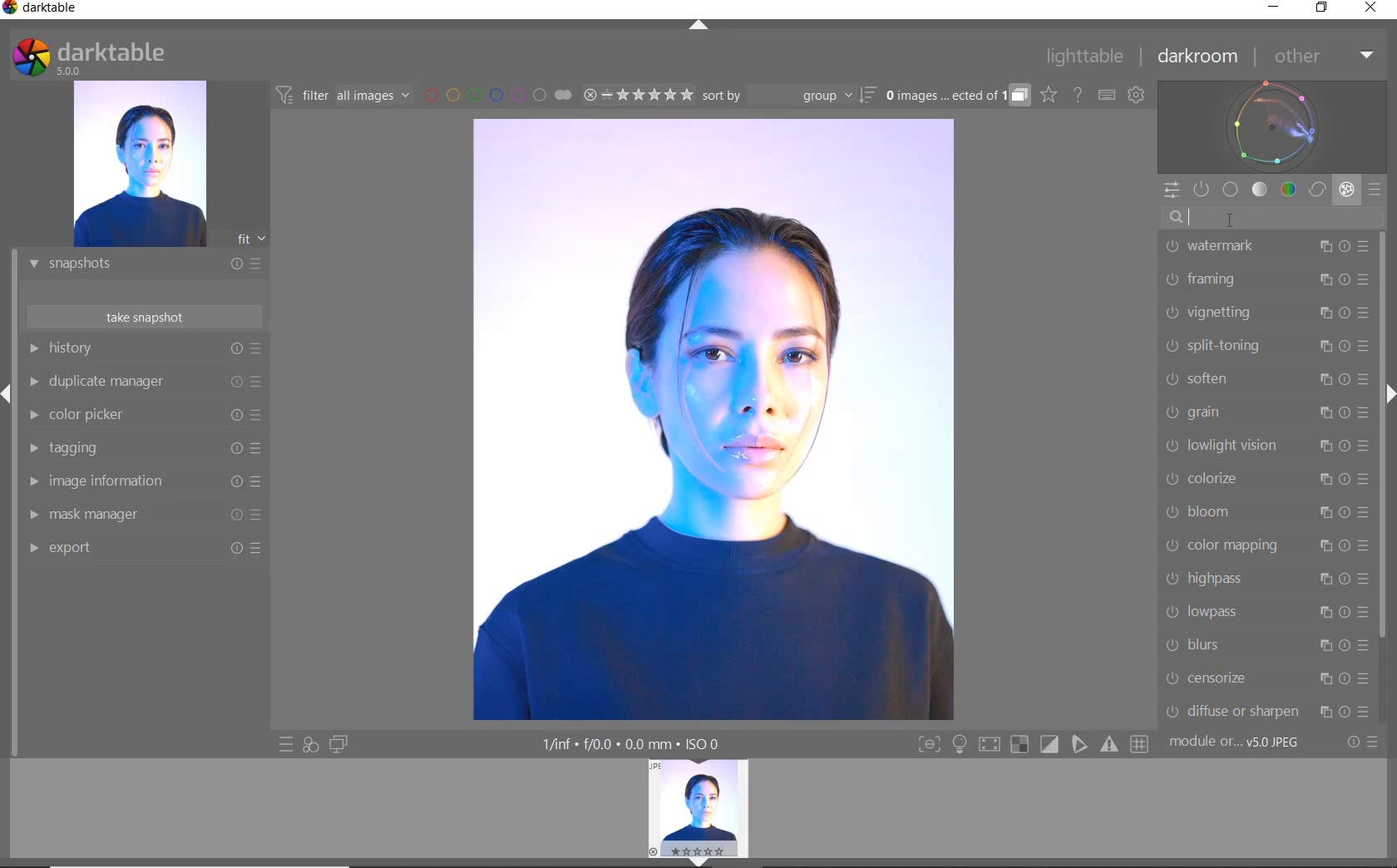  Describe the element at coordinates (1365, 742) in the screenshot. I see `RESET OR PRESETS & PREFERENCES` at that location.